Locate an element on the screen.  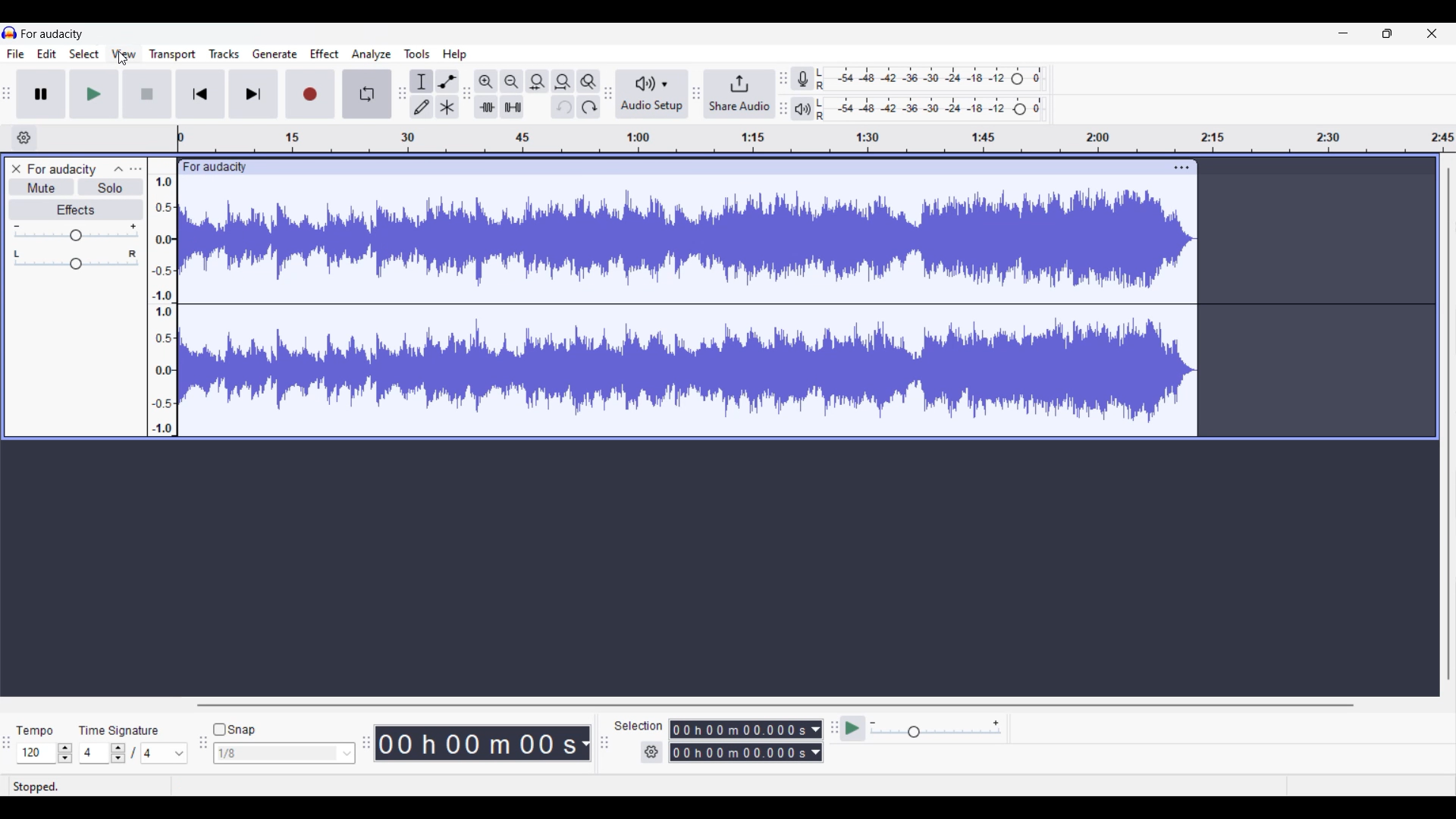
timeline is located at coordinates (816, 138).